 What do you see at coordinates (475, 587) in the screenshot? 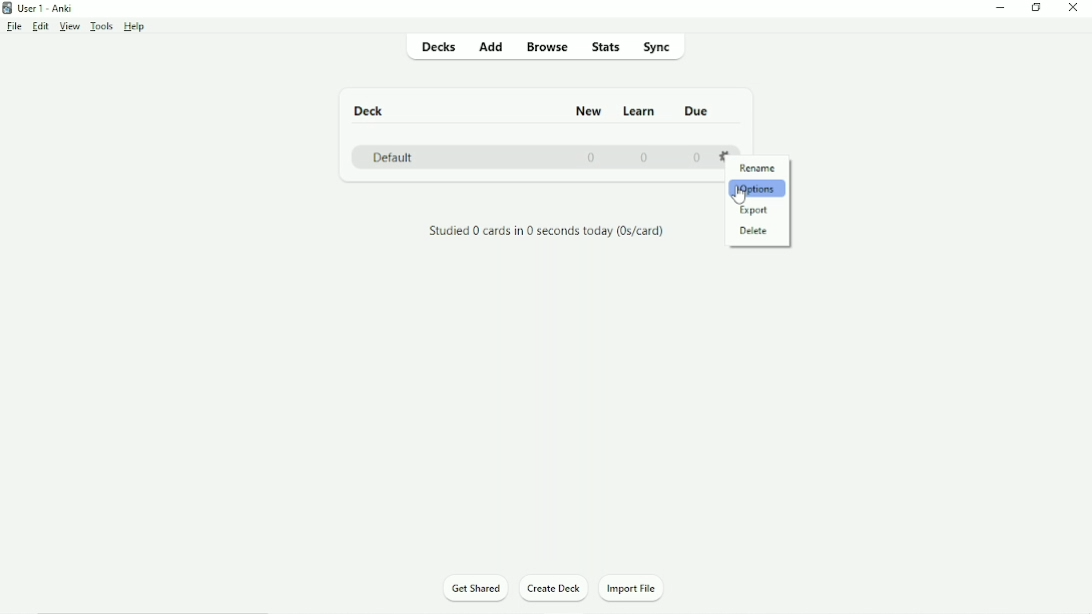
I see `Get Started` at bounding box center [475, 587].